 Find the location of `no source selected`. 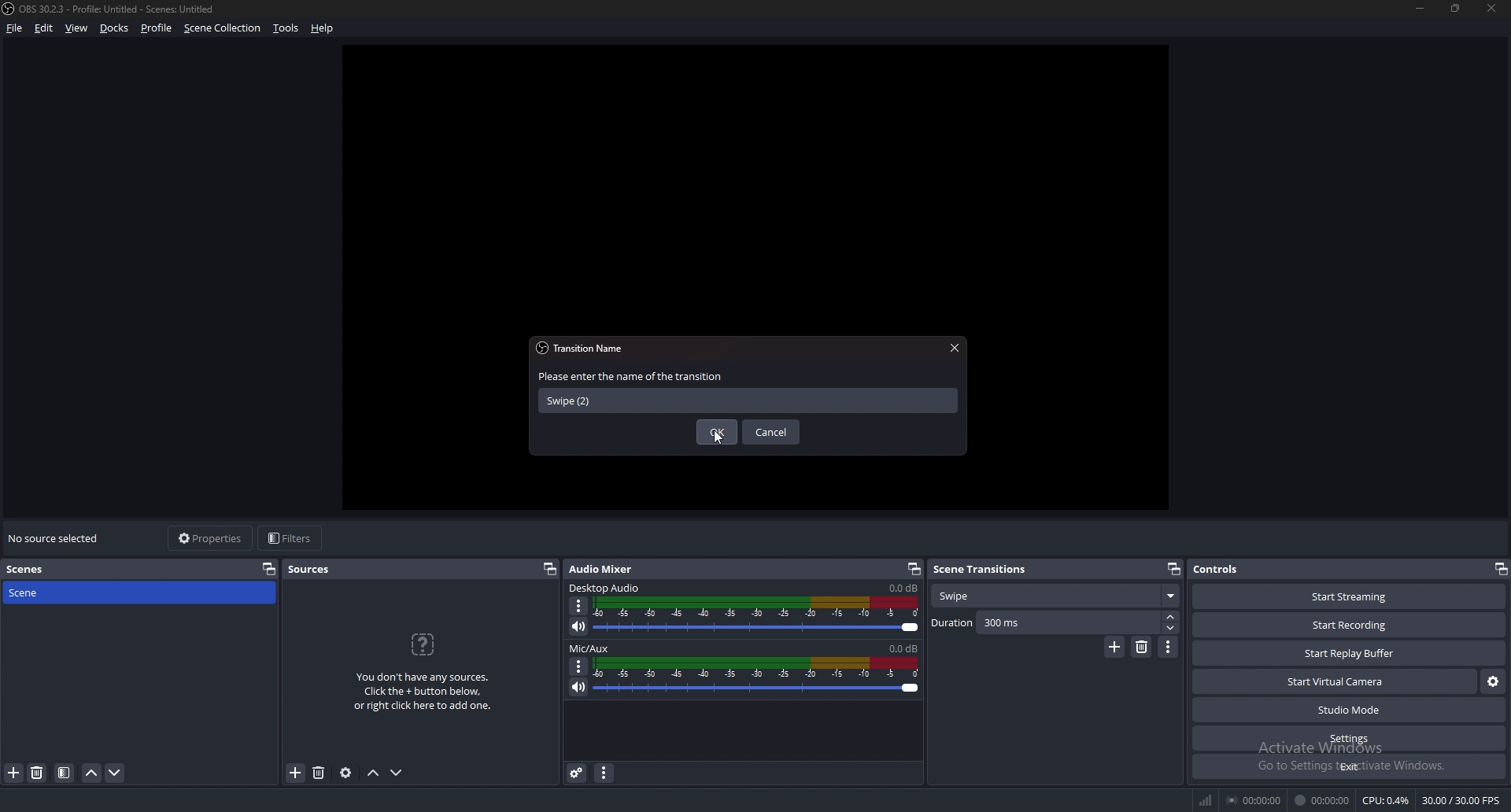

no source selected is located at coordinates (57, 537).